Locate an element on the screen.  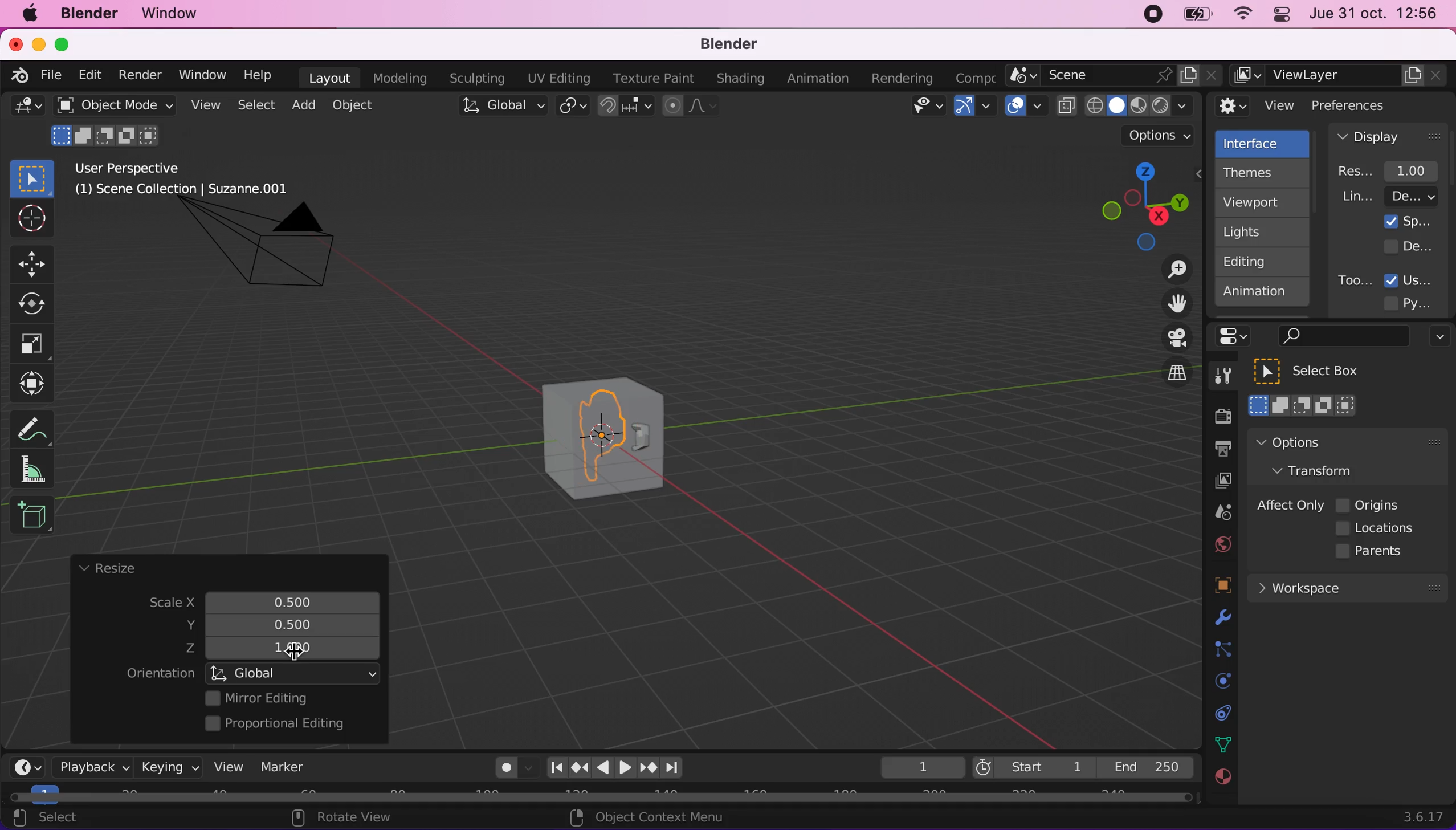
transform is located at coordinates (35, 384).